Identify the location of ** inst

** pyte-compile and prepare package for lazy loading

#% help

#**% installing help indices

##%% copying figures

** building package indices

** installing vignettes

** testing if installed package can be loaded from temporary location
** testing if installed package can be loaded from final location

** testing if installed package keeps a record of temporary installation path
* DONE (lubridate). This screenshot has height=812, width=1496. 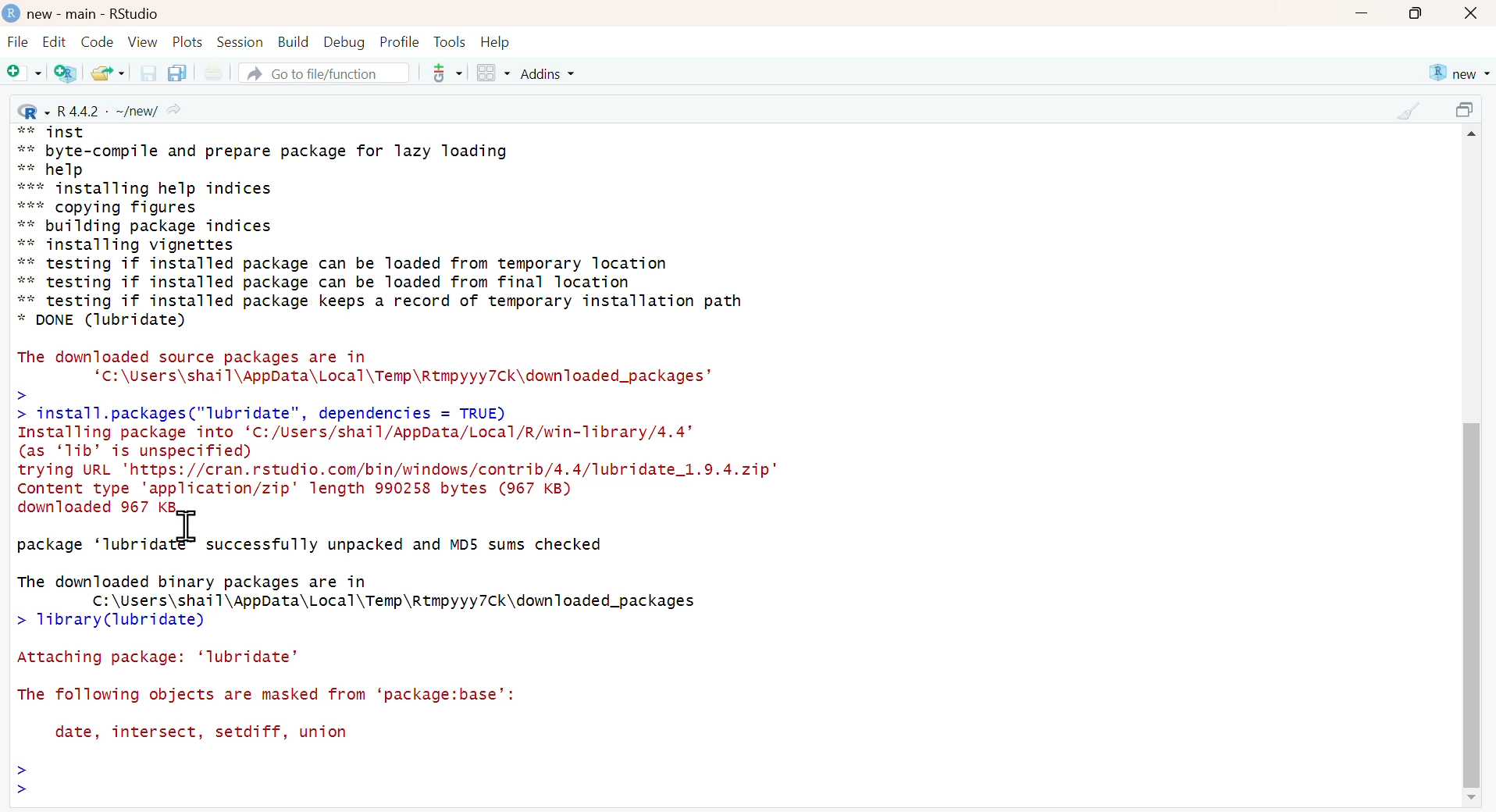
(381, 226).